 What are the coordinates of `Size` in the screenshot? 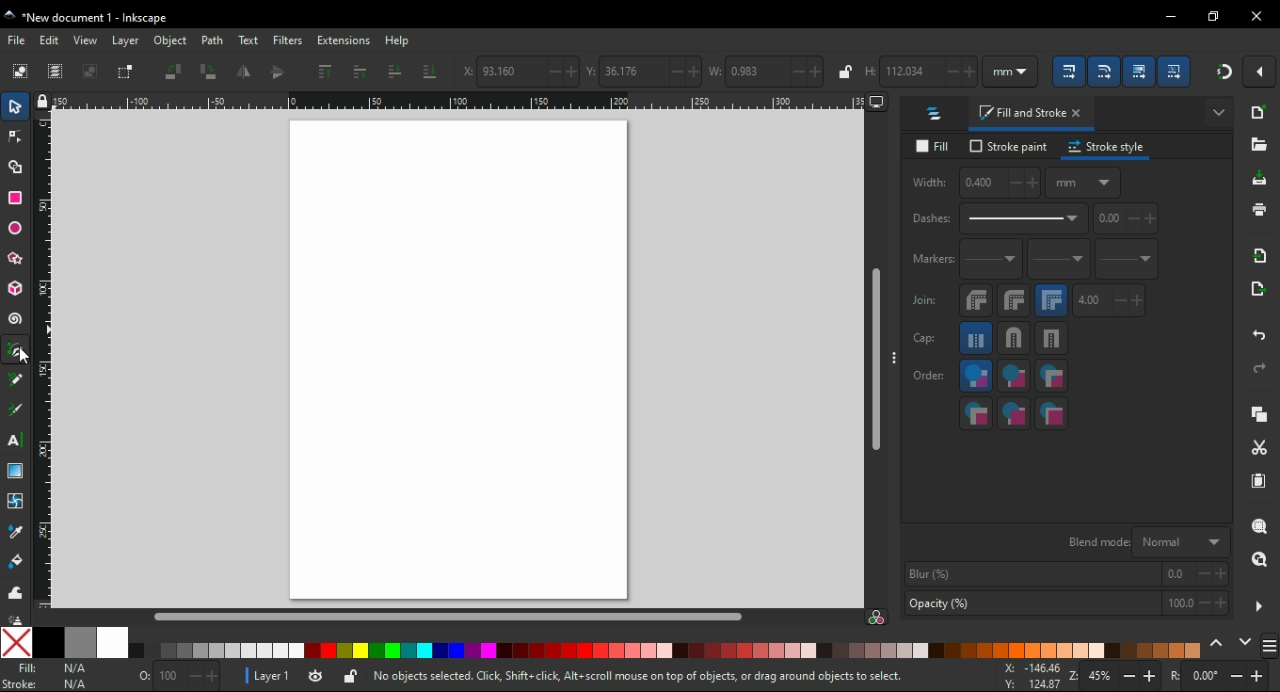 It's located at (173, 677).